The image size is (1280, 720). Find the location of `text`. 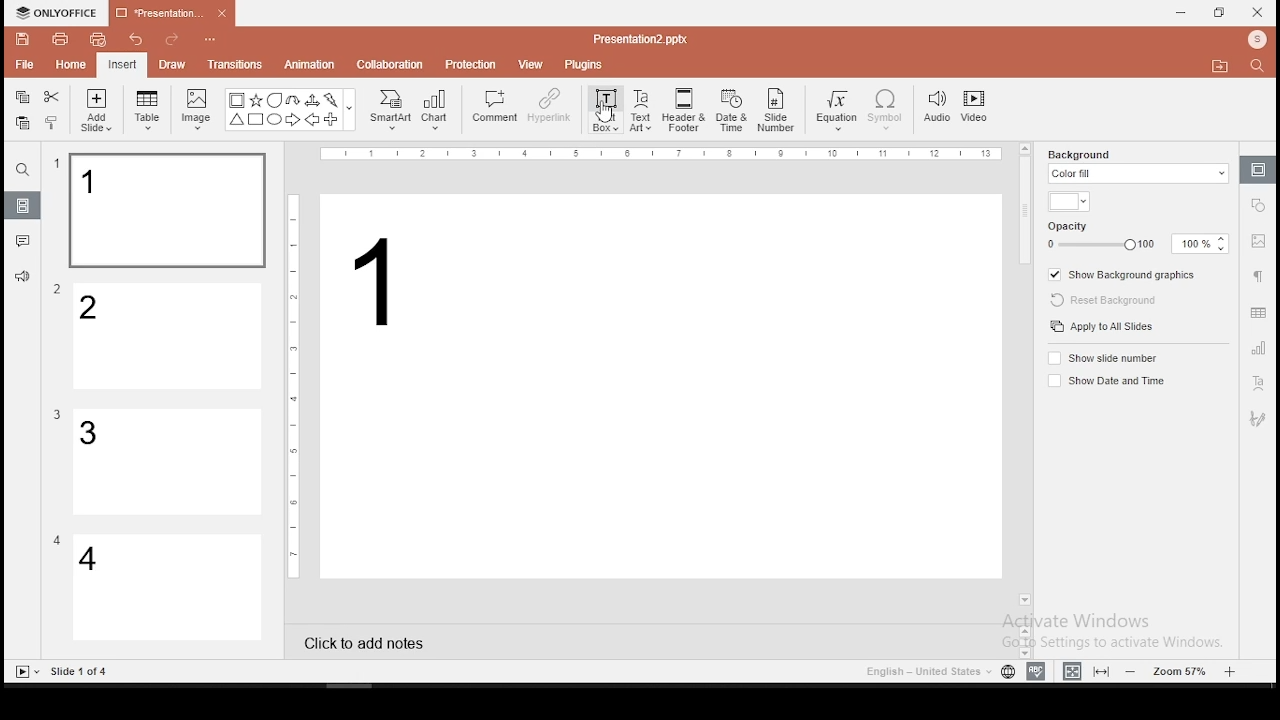

text is located at coordinates (388, 290).